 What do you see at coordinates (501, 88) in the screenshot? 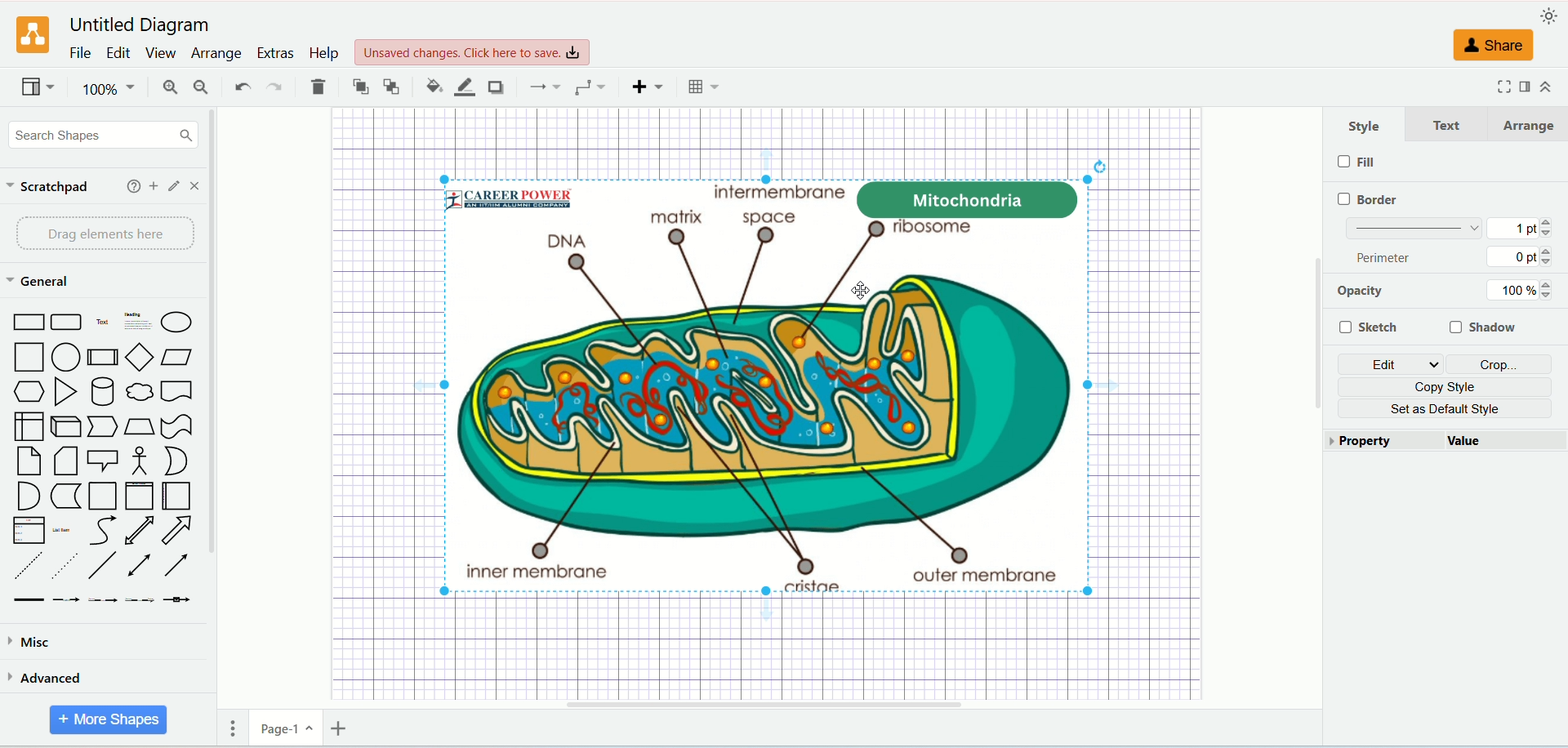
I see `shadow` at bounding box center [501, 88].